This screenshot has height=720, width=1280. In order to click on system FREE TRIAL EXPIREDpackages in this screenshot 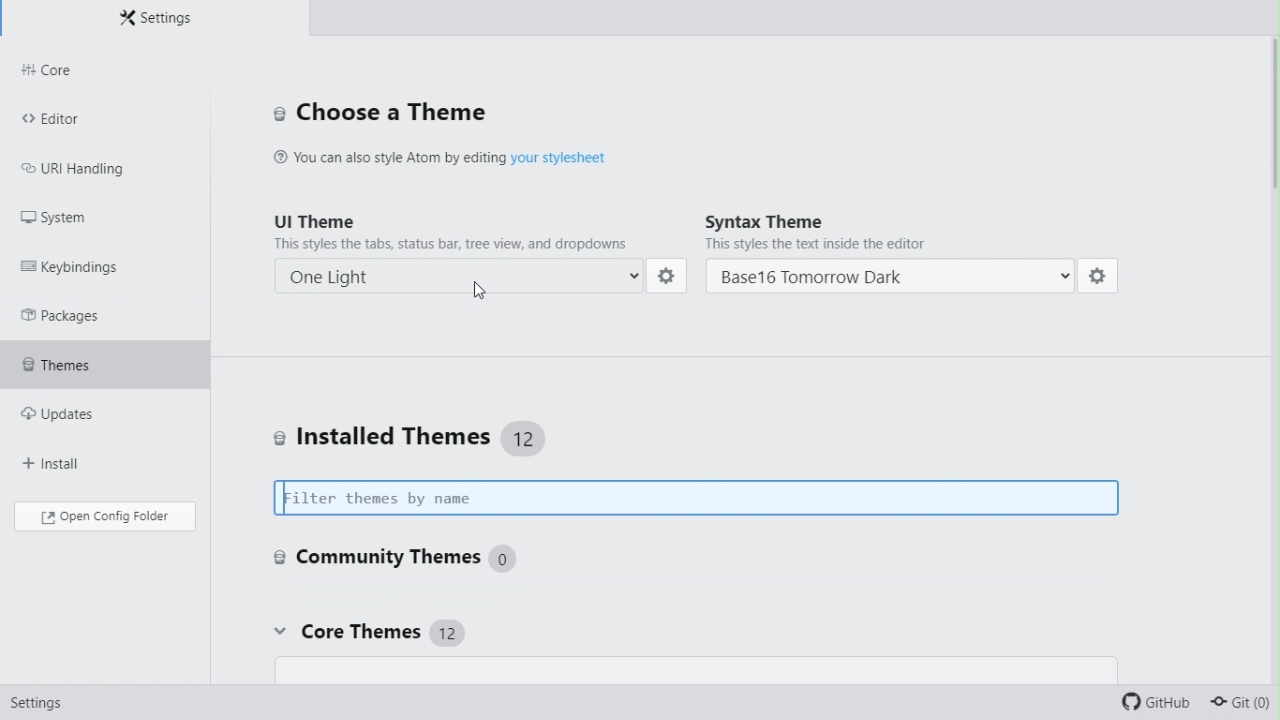, I will do `click(93, 215)`.